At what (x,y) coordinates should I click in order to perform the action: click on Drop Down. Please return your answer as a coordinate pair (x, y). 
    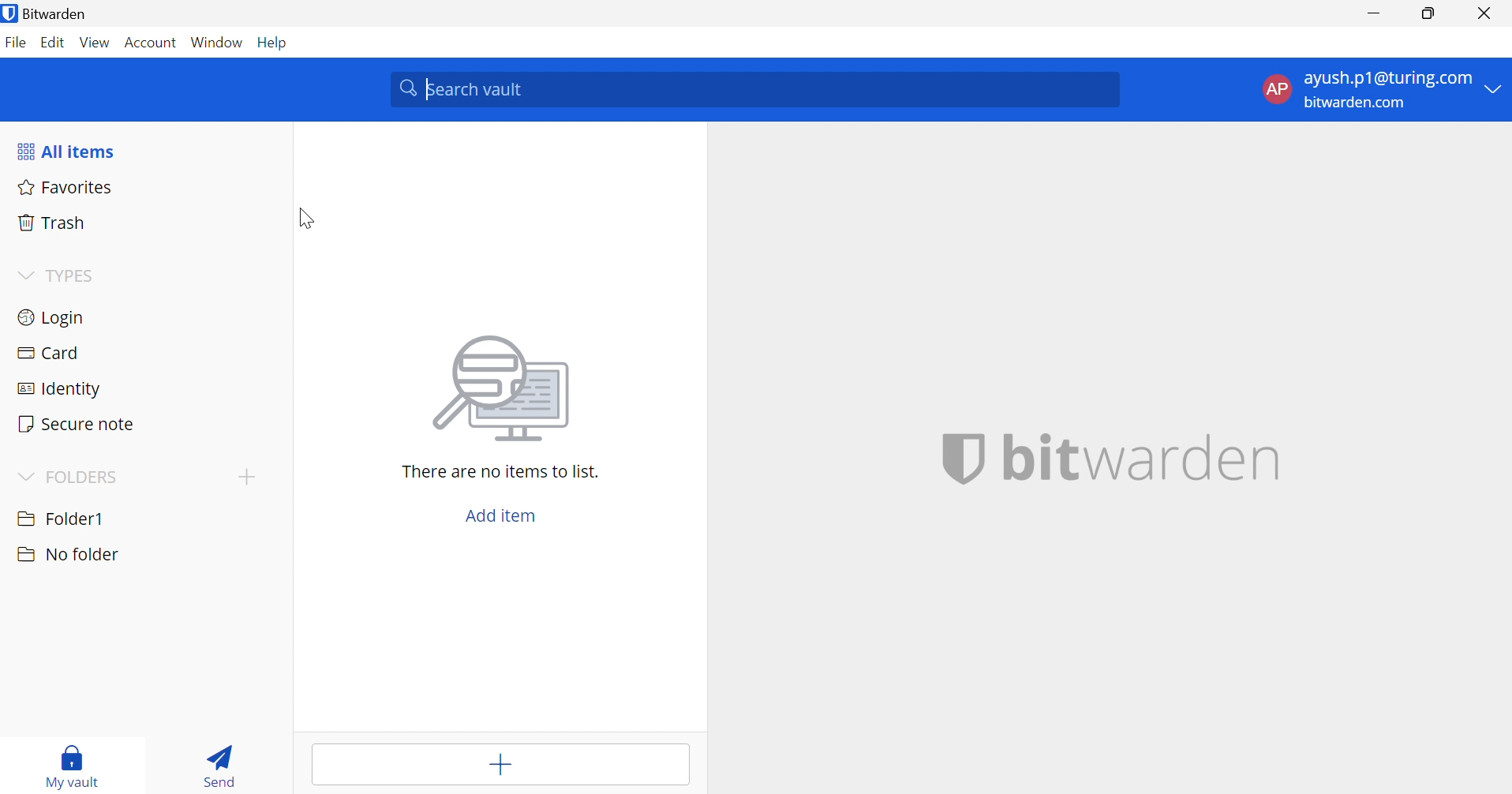
    Looking at the image, I should click on (29, 478).